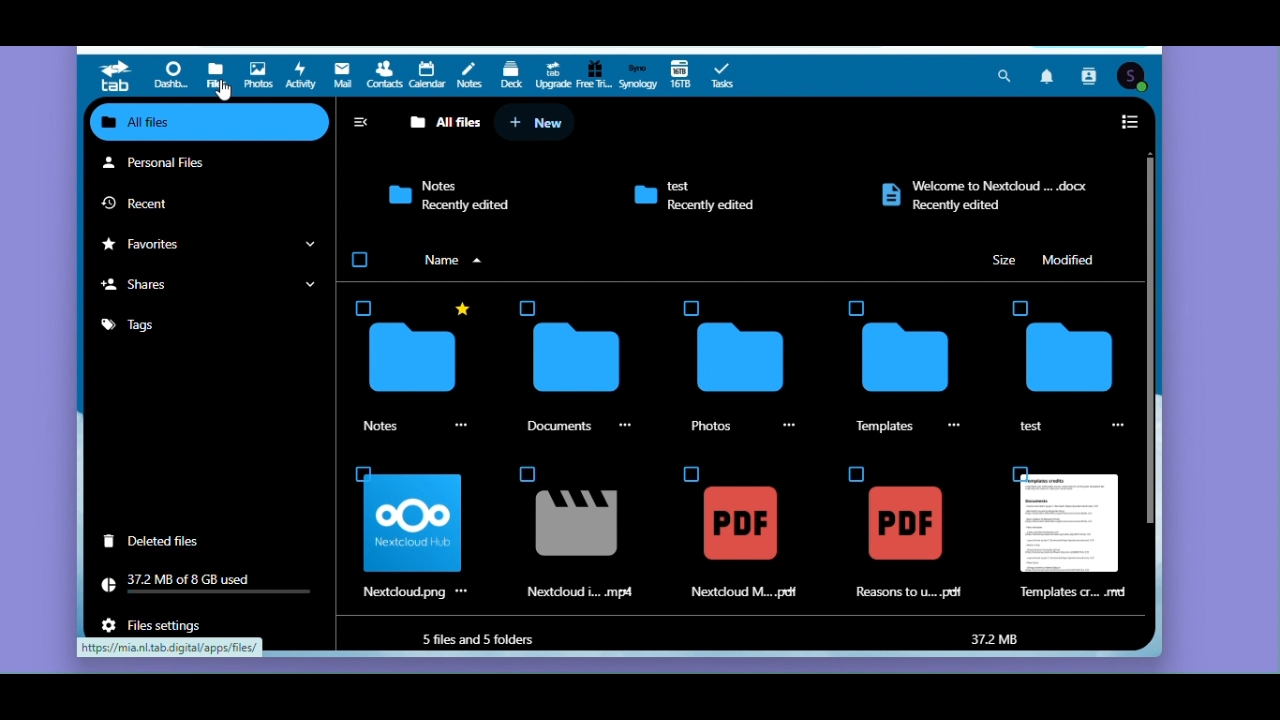  What do you see at coordinates (301, 76) in the screenshot?
I see `Activity` at bounding box center [301, 76].